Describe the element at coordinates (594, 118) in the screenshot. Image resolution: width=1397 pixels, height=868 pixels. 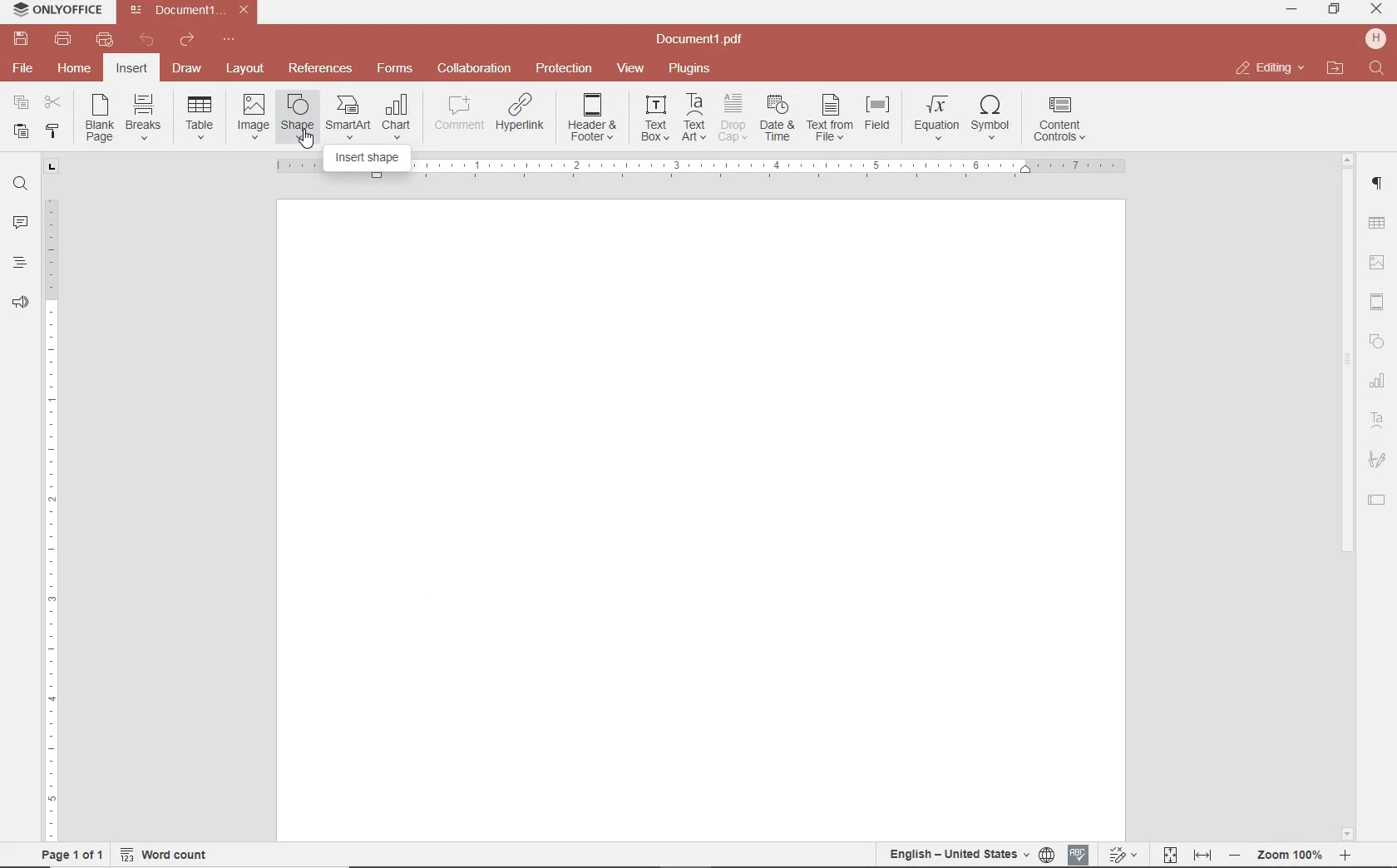
I see `EDIT HEADER OR FOOTER` at that location.